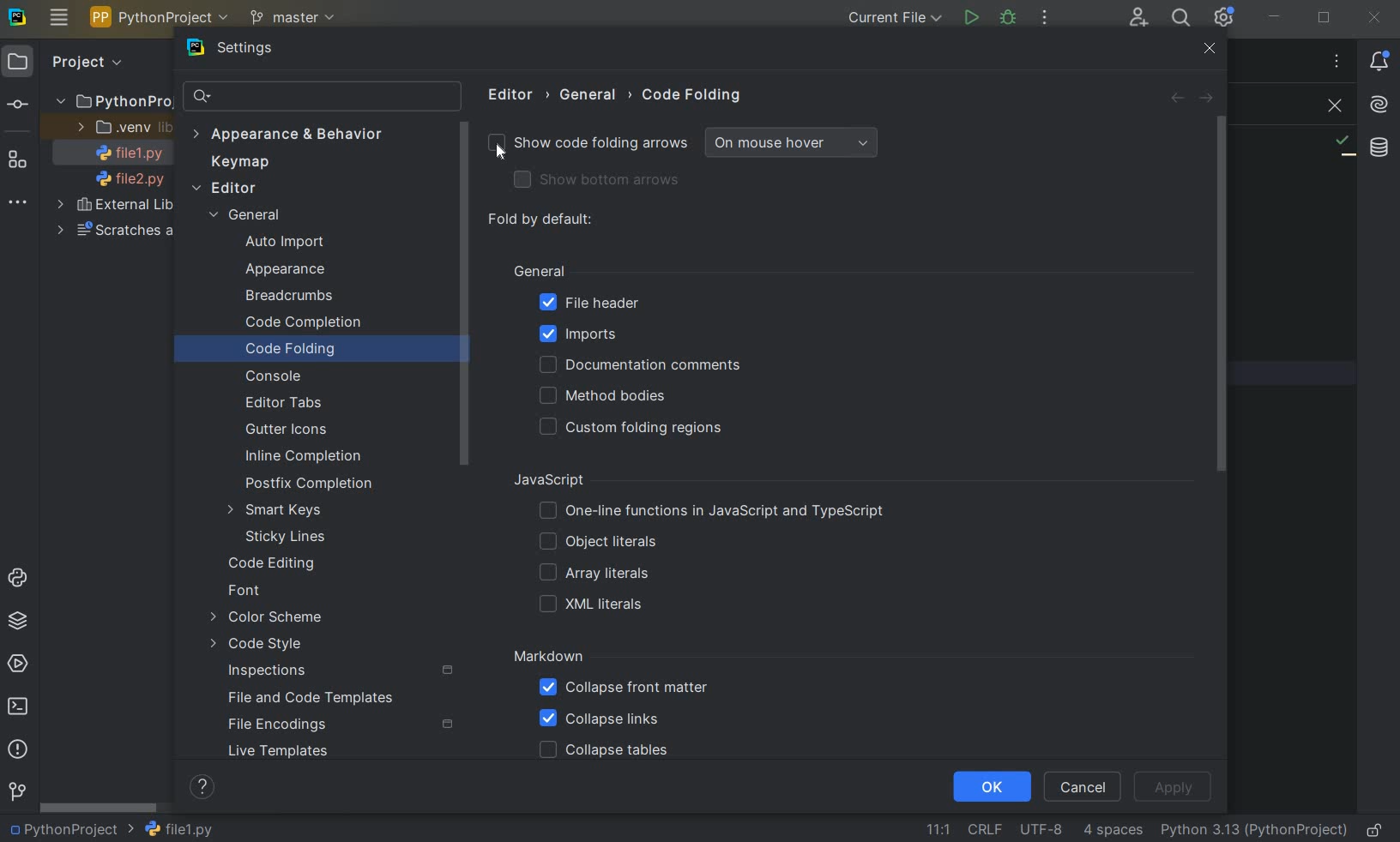 The height and width of the screenshot is (842, 1400). Describe the element at coordinates (245, 162) in the screenshot. I see `KEYMAP` at that location.